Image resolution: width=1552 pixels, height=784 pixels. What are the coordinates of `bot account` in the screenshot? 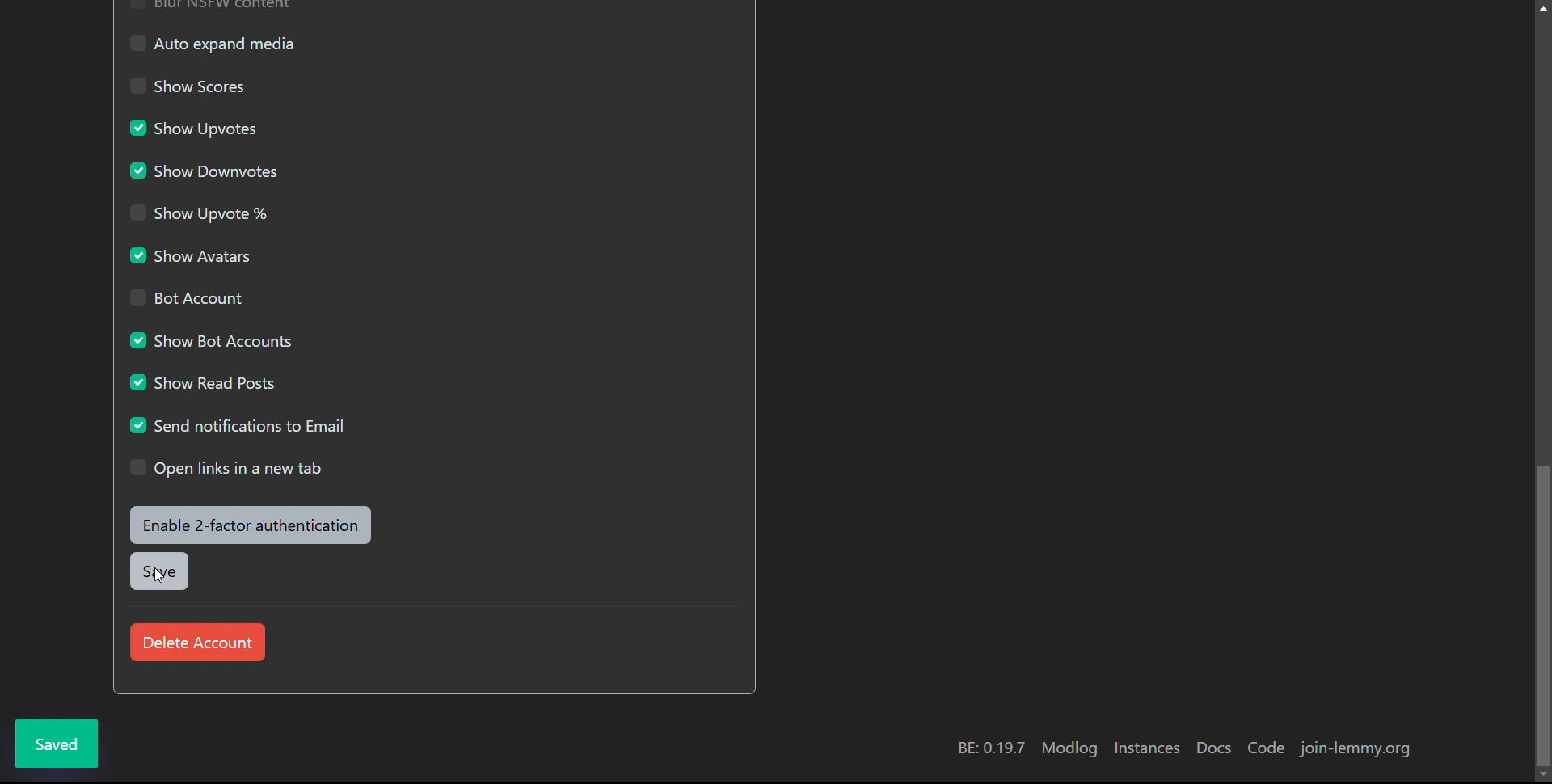 It's located at (183, 297).